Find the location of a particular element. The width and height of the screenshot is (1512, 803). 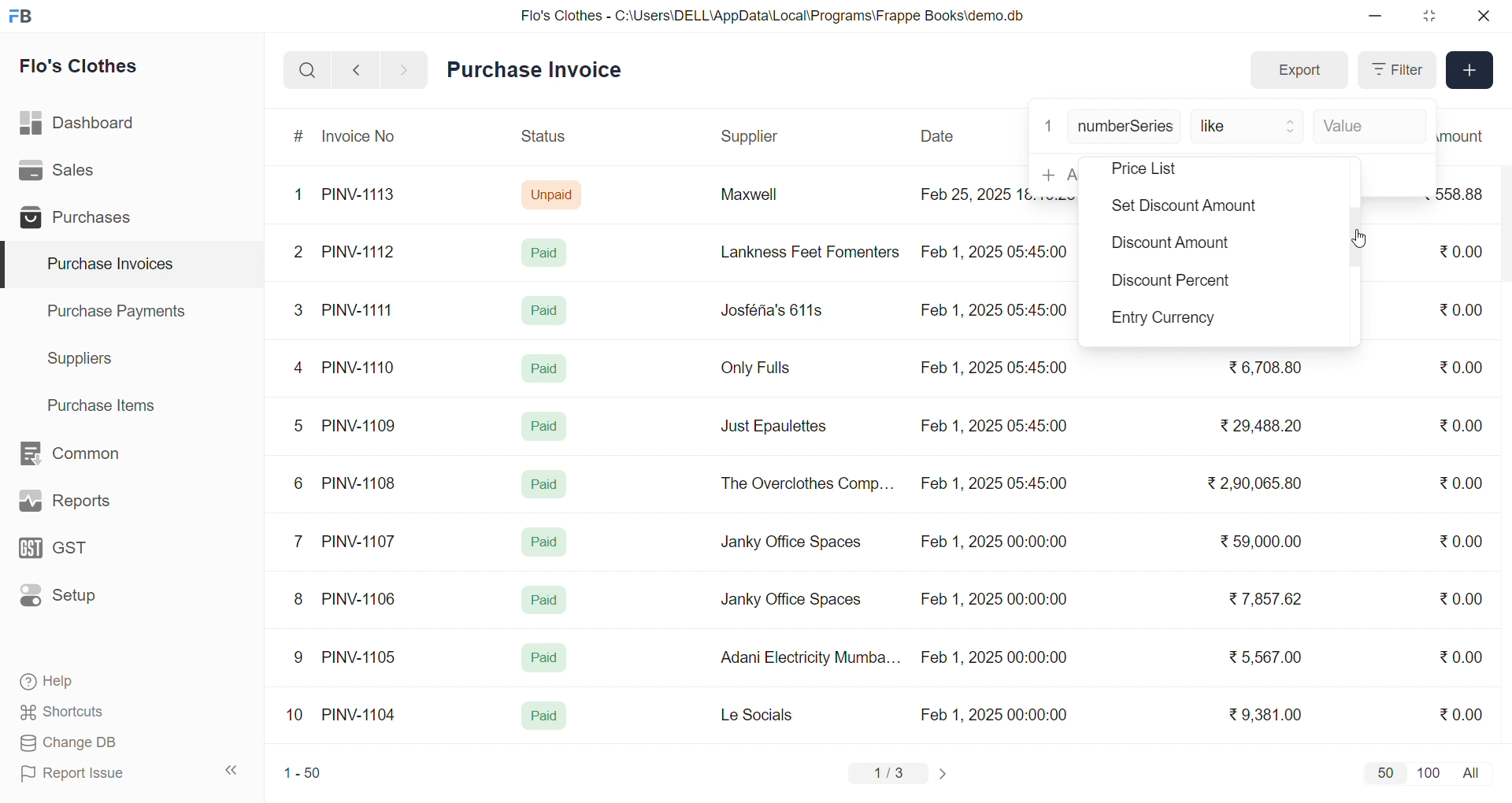

Paid is located at coordinates (545, 484).